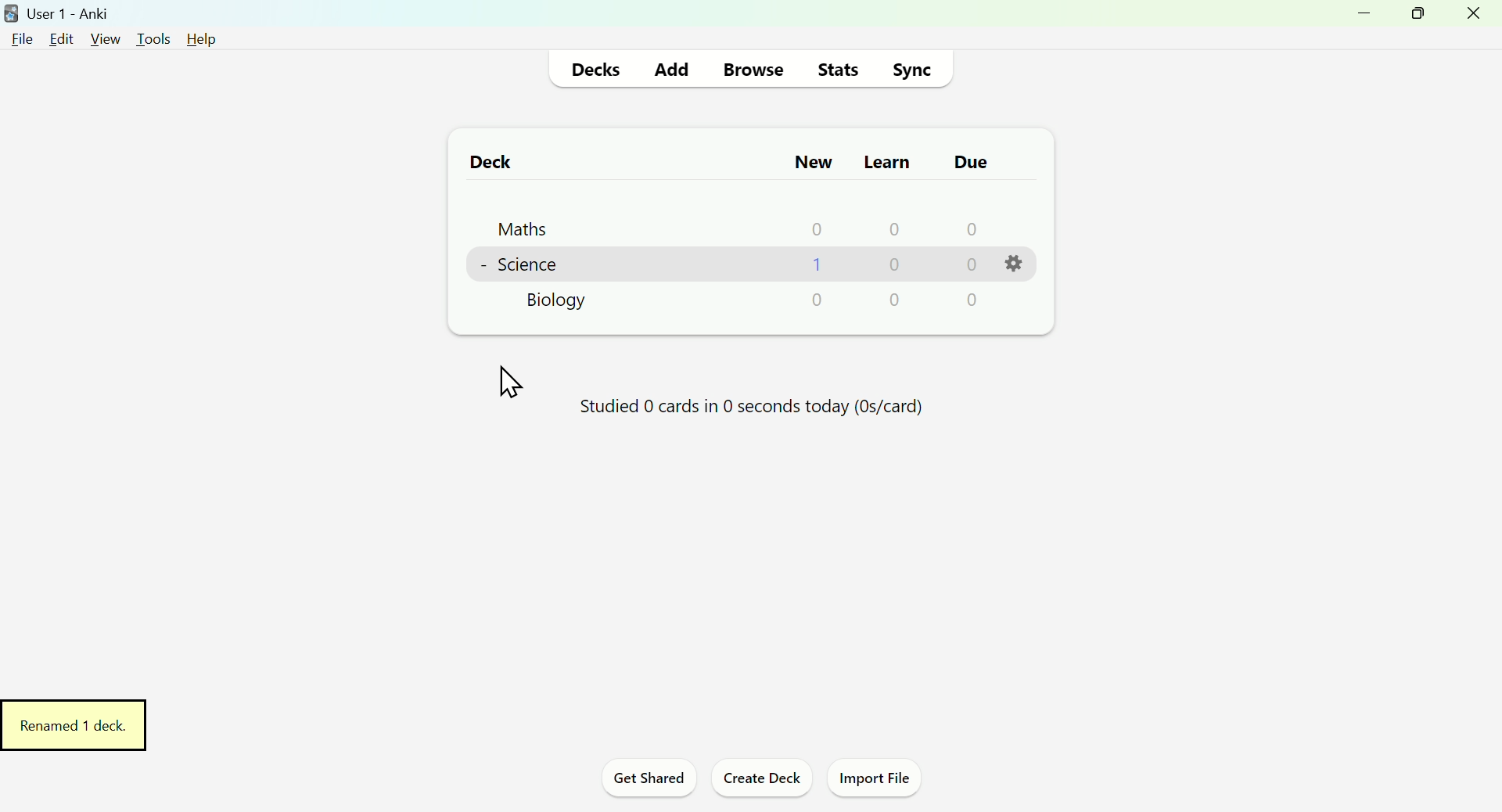  Describe the element at coordinates (893, 228) in the screenshot. I see `0` at that location.